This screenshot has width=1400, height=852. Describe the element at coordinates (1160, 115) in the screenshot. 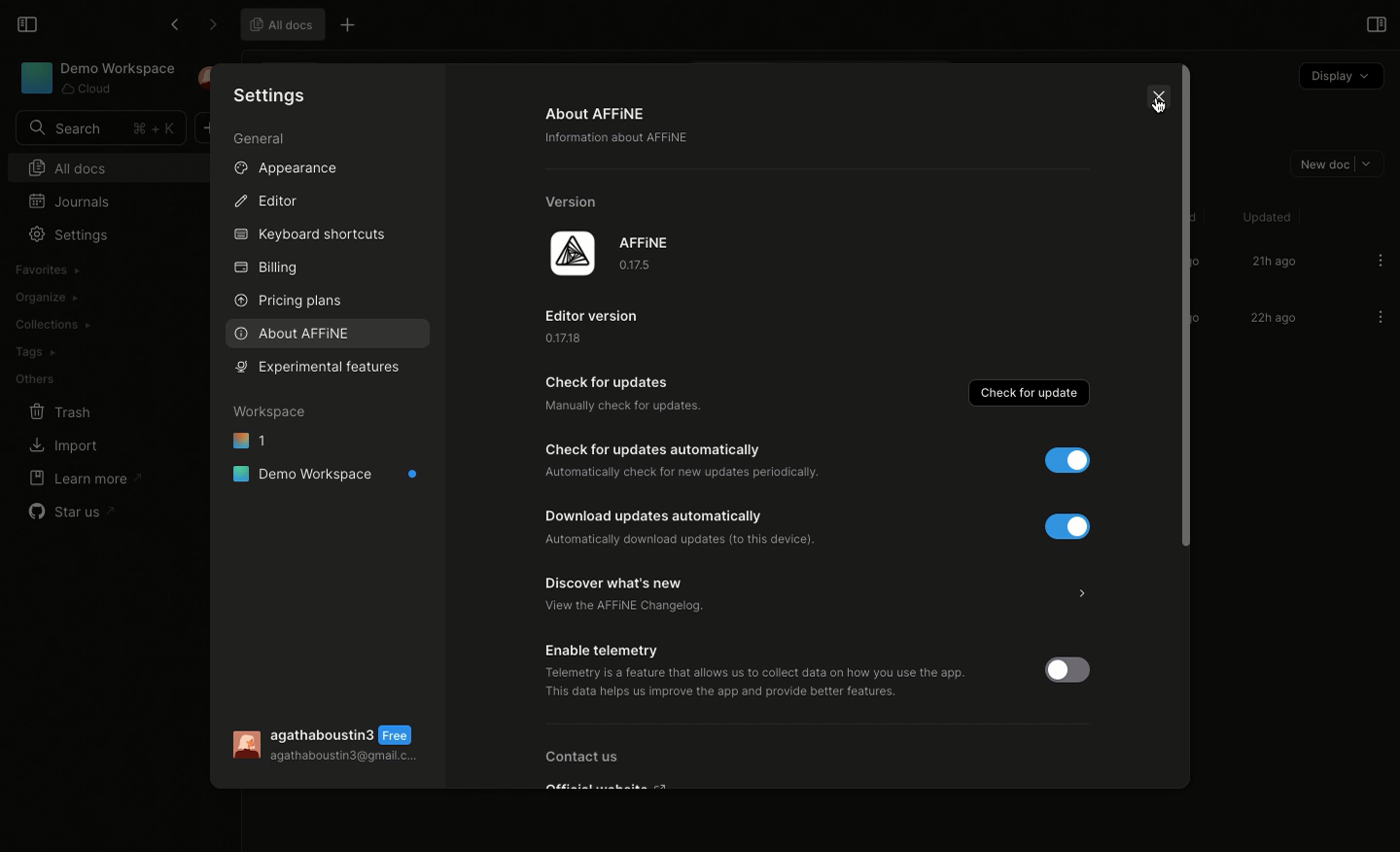

I see `cursor` at that location.